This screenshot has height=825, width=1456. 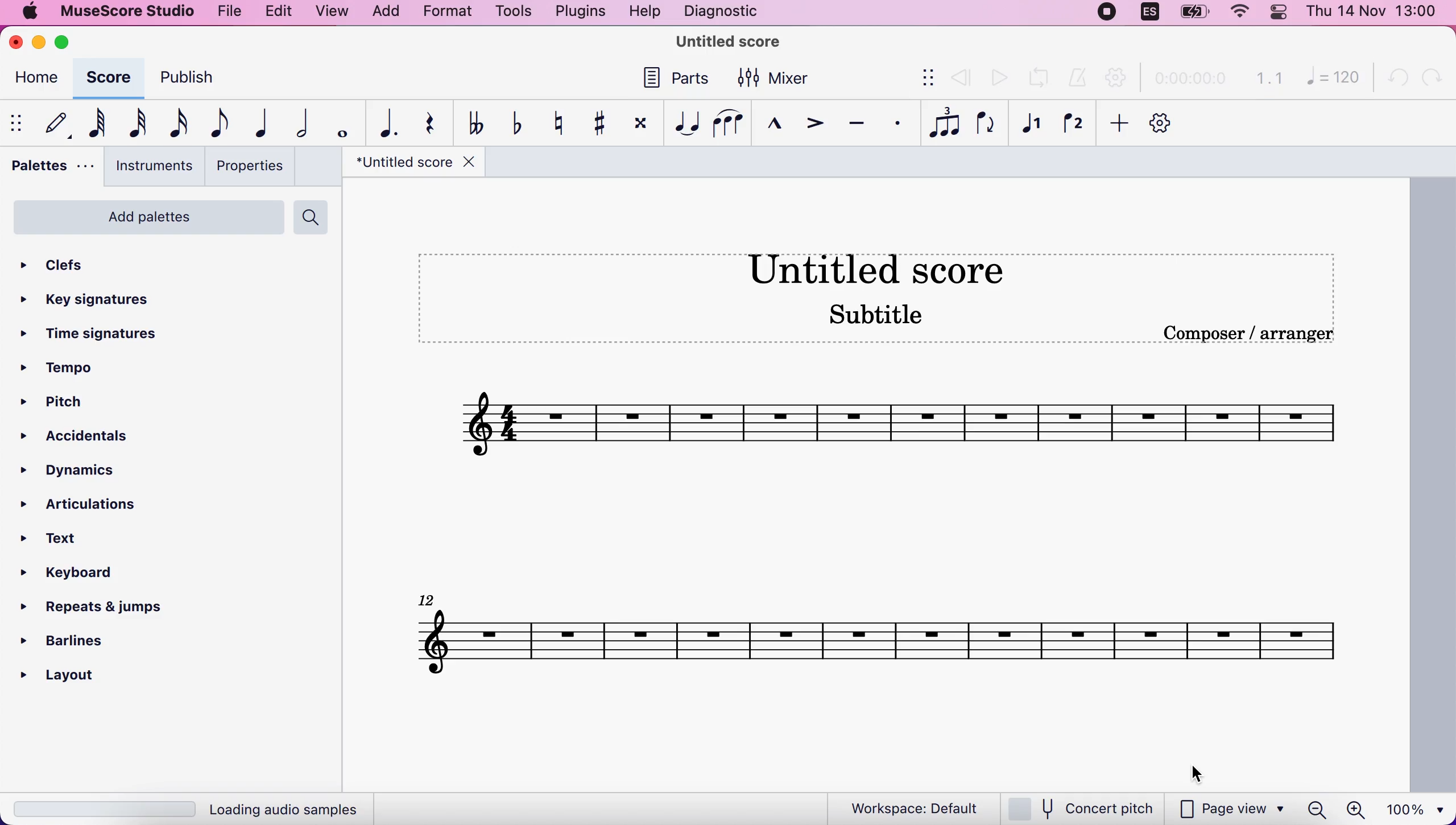 What do you see at coordinates (515, 13) in the screenshot?
I see `tools` at bounding box center [515, 13].